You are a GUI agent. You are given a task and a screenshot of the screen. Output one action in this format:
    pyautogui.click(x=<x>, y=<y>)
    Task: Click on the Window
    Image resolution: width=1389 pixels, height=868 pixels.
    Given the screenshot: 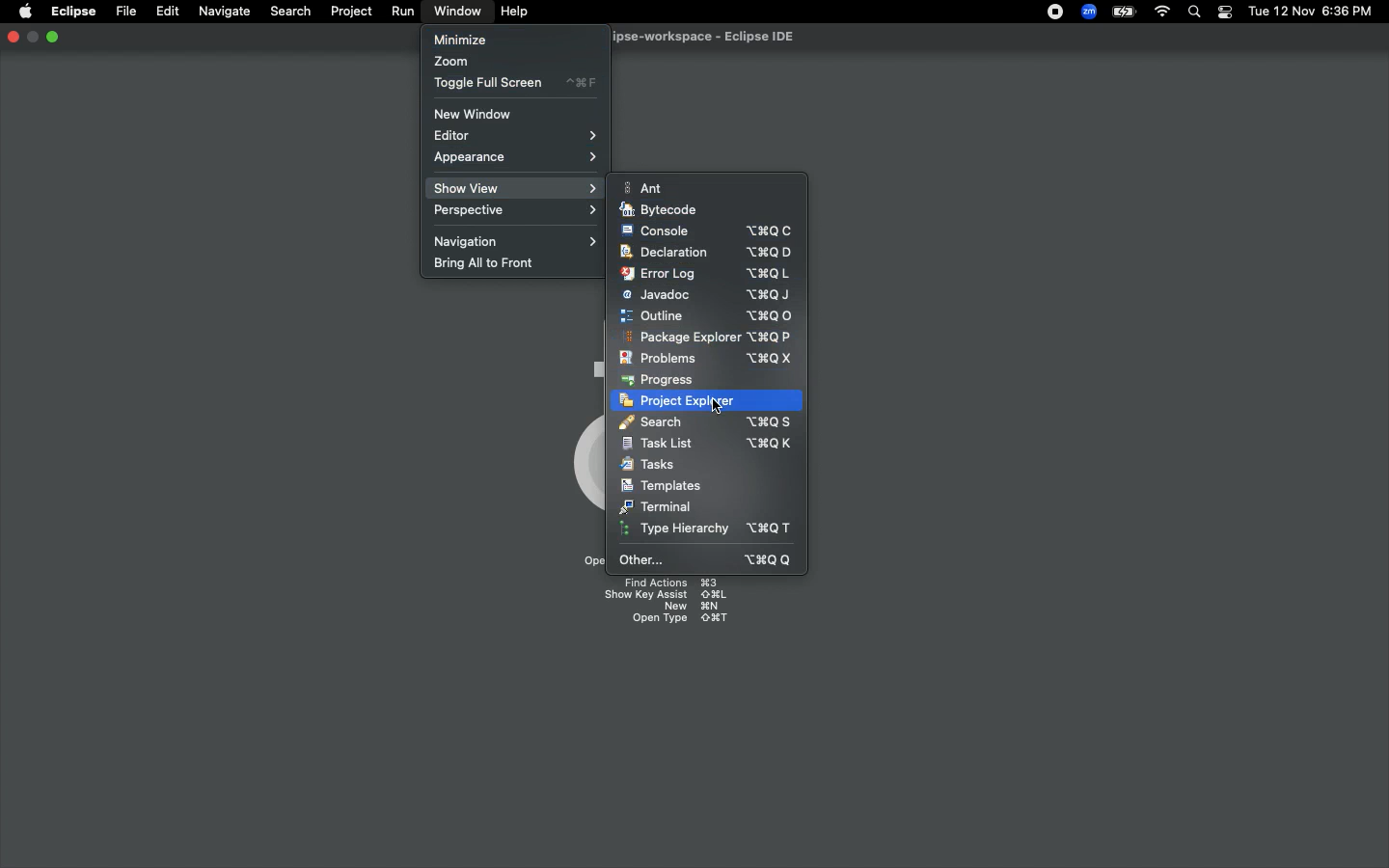 What is the action you would take?
    pyautogui.click(x=453, y=11)
    